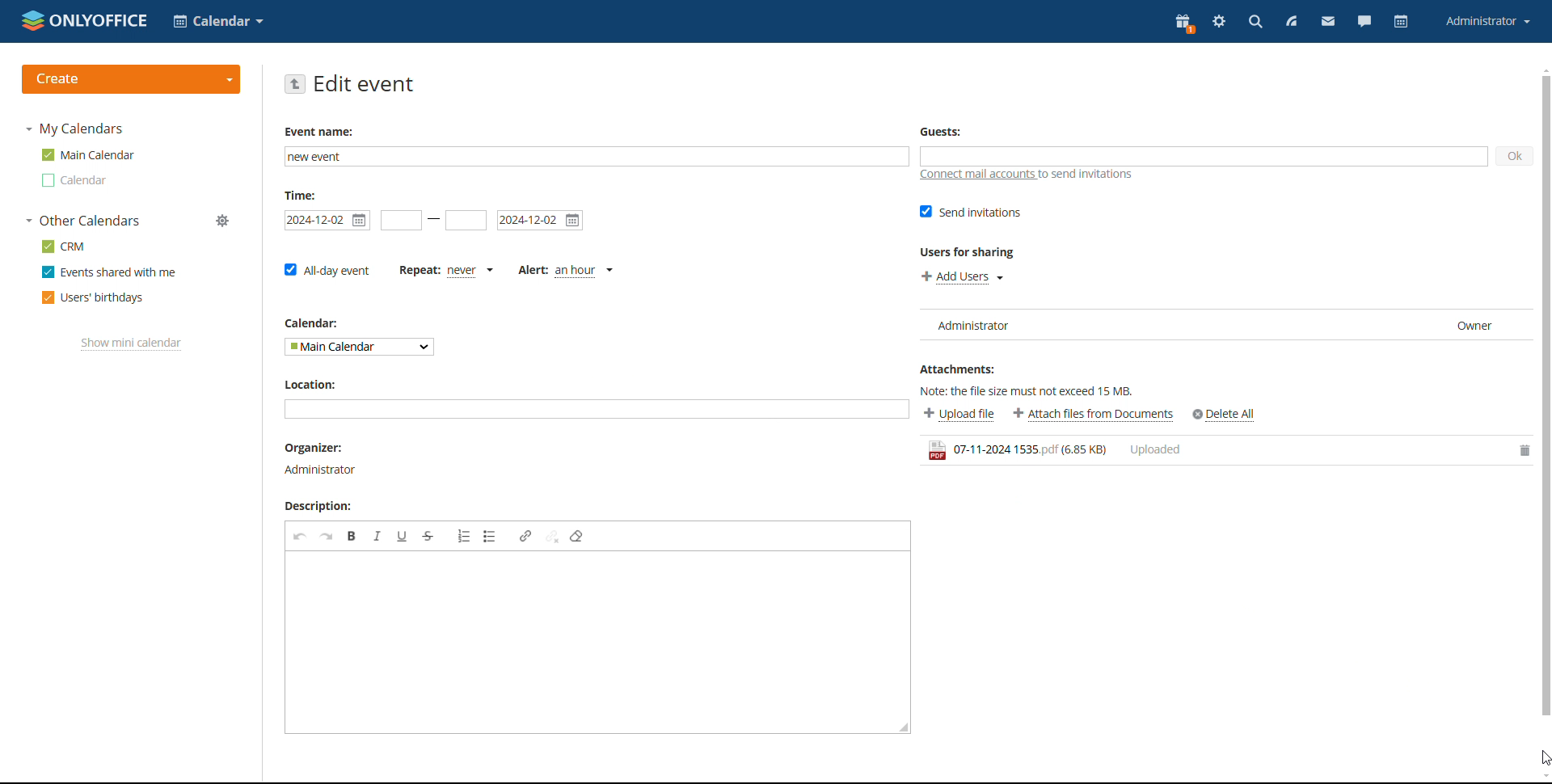 The height and width of the screenshot is (784, 1552). I want to click on add users, so click(960, 278).